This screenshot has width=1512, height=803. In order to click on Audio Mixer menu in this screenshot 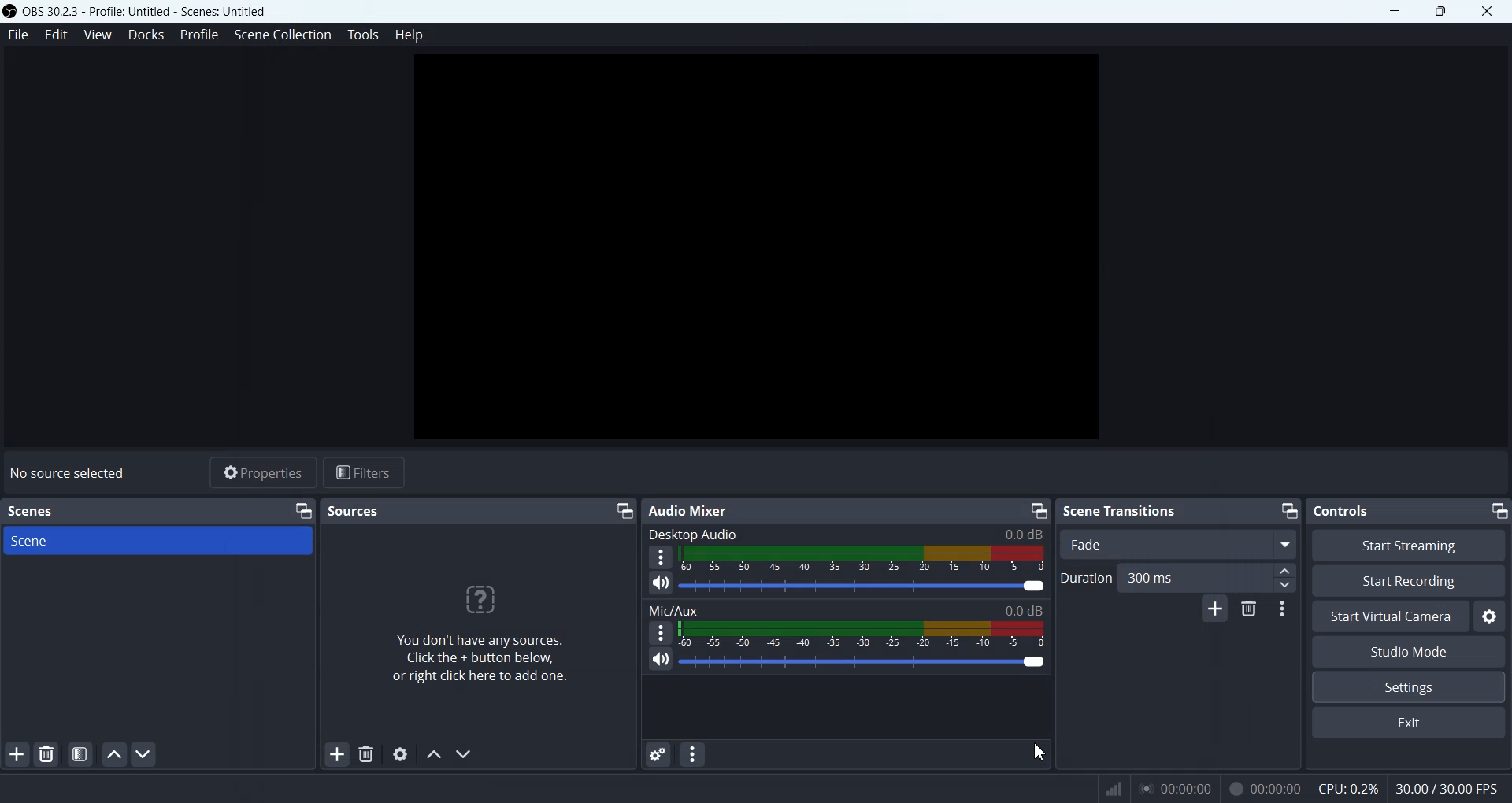, I will do `click(692, 755)`.